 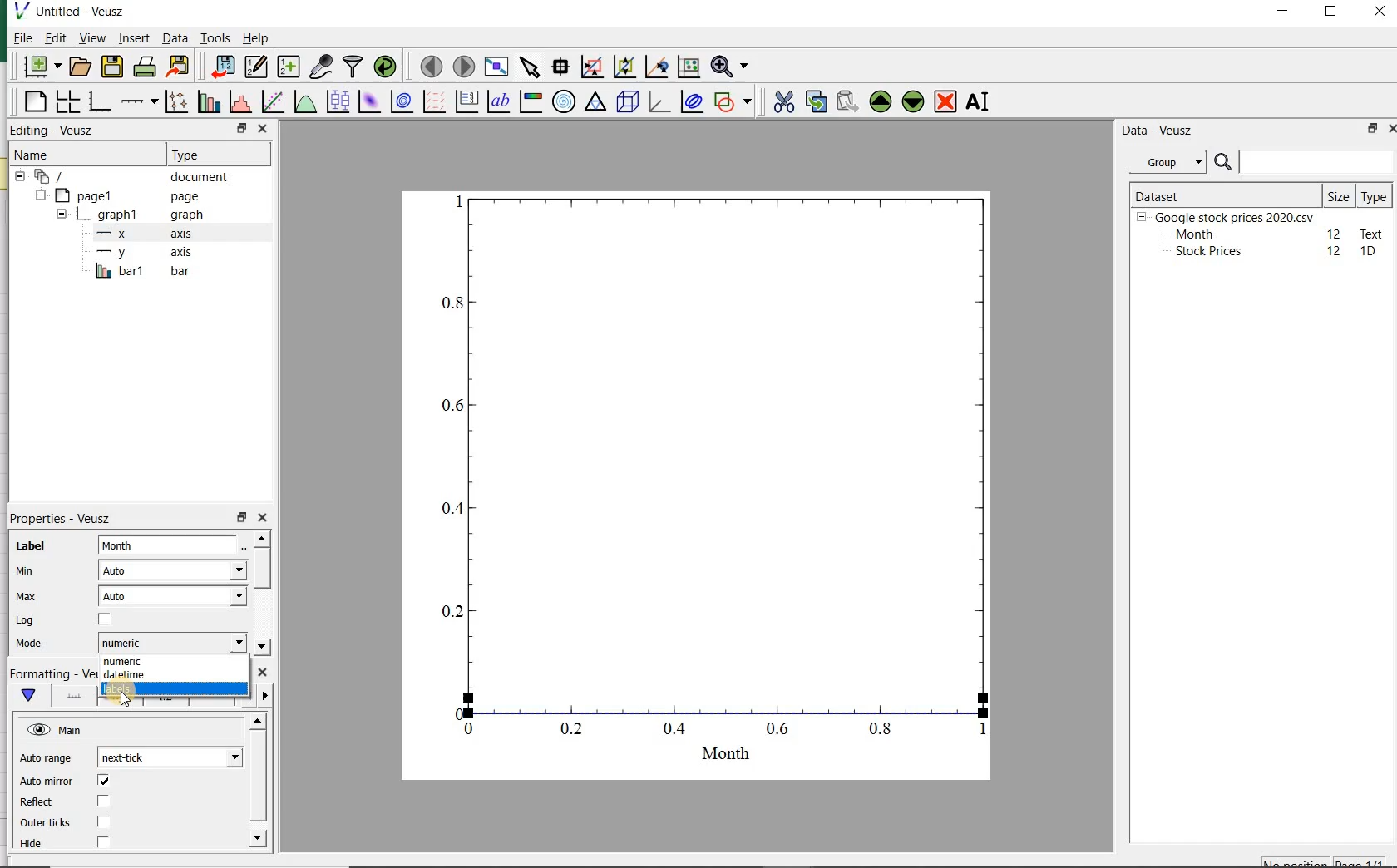 I want to click on x axis, so click(x=137, y=234).